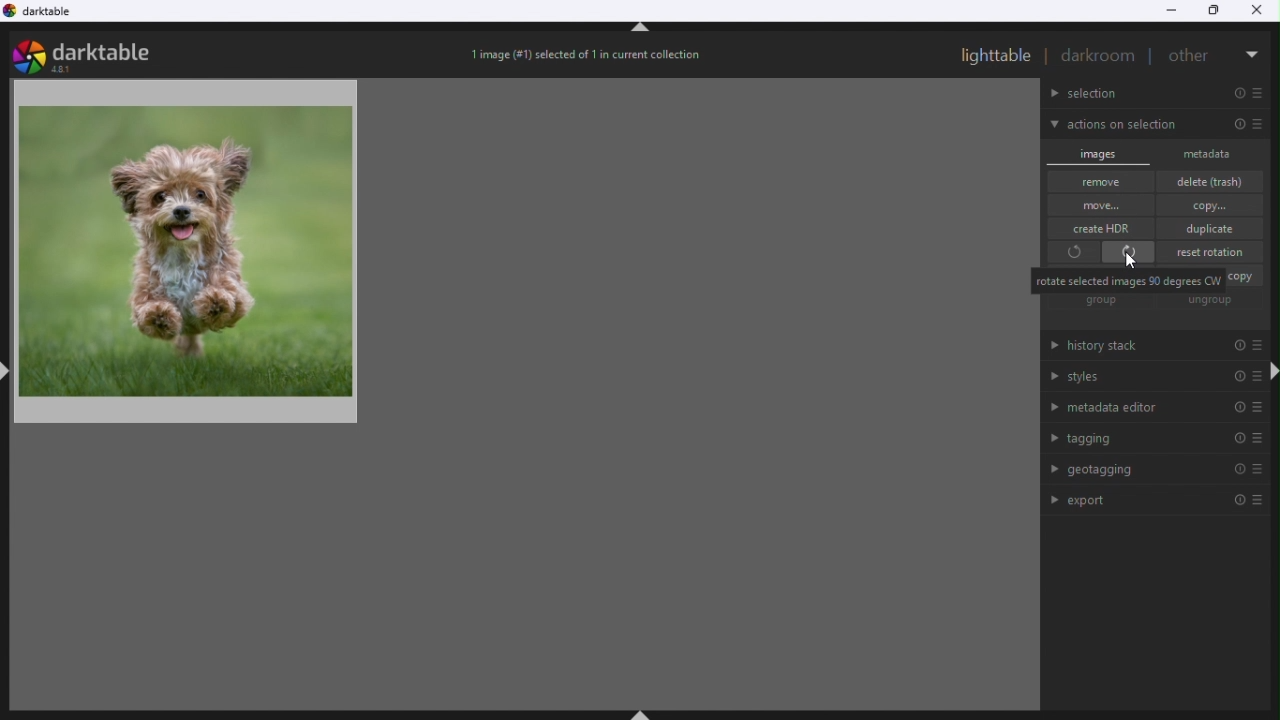  What do you see at coordinates (1214, 251) in the screenshot?
I see `reset rotation` at bounding box center [1214, 251].